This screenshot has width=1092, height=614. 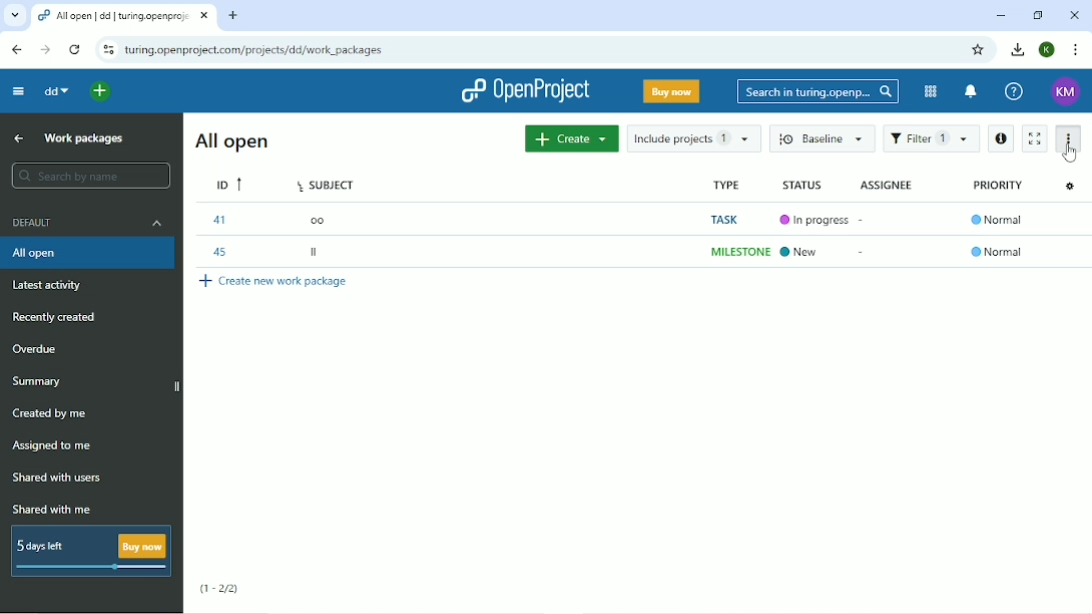 I want to click on Restore down, so click(x=1039, y=15).